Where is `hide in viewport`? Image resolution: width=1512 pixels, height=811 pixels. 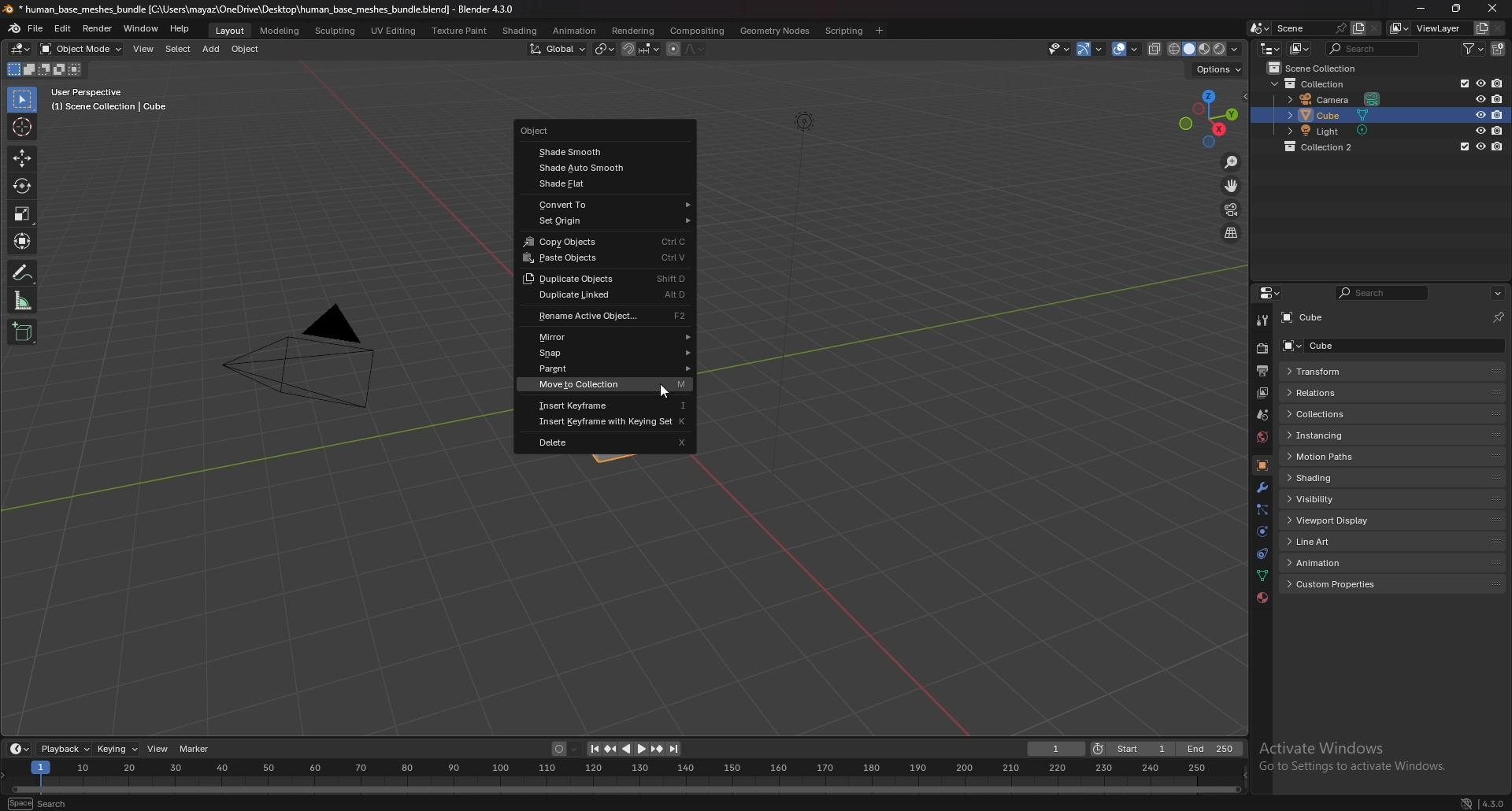 hide in viewport is located at coordinates (1480, 98).